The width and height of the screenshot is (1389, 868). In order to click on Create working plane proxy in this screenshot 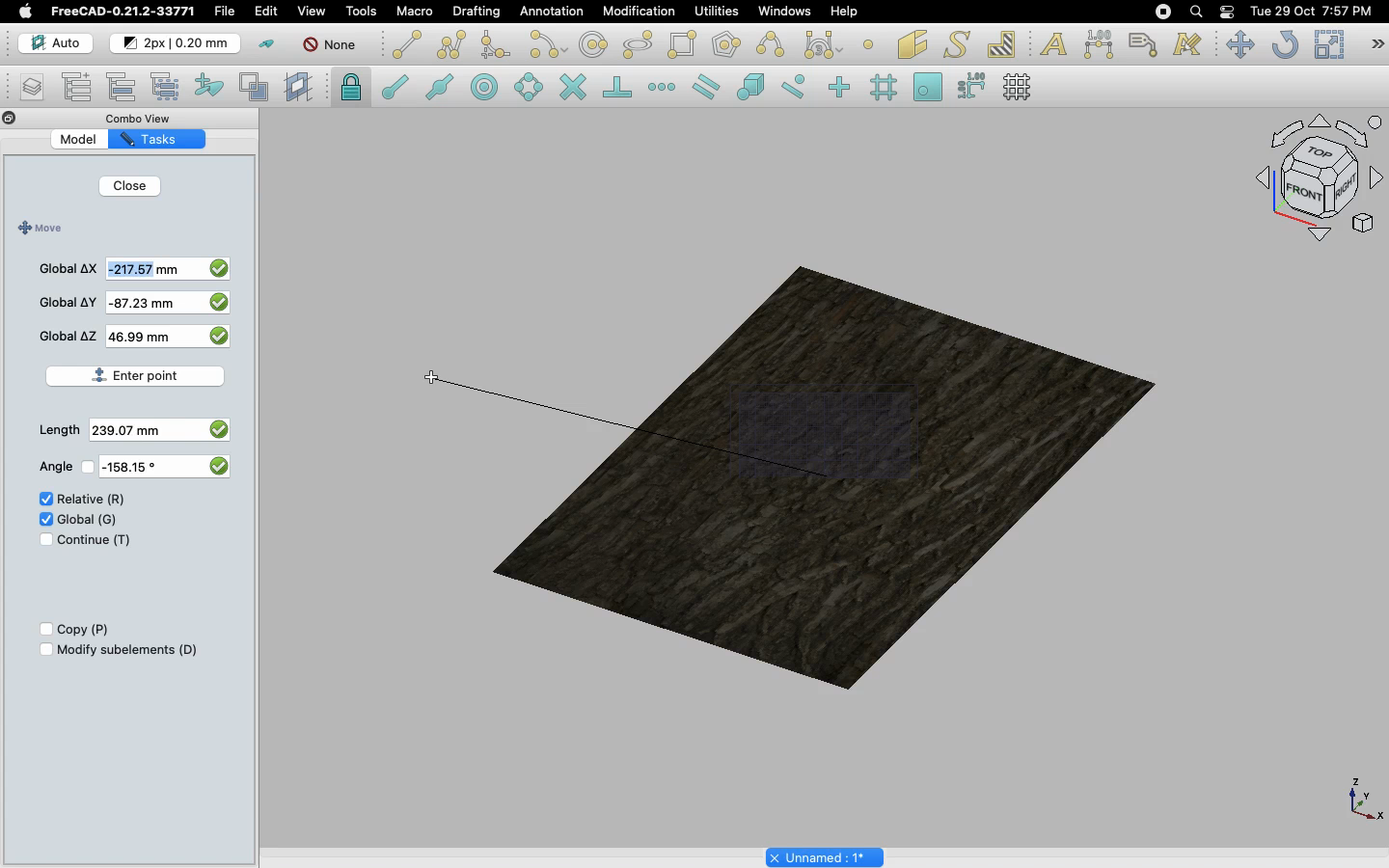, I will do `click(301, 88)`.